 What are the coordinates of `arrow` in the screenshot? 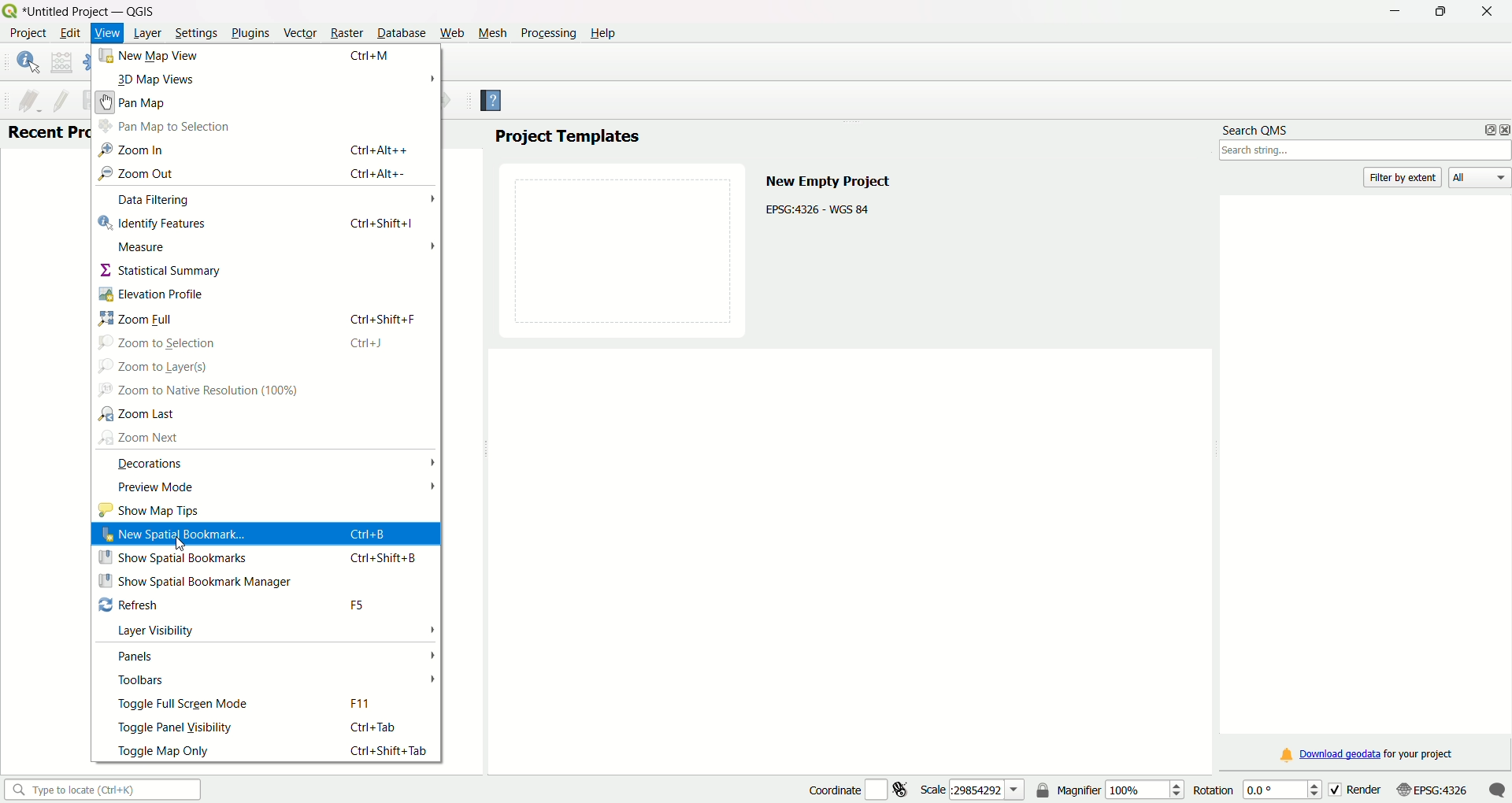 It's located at (428, 246).